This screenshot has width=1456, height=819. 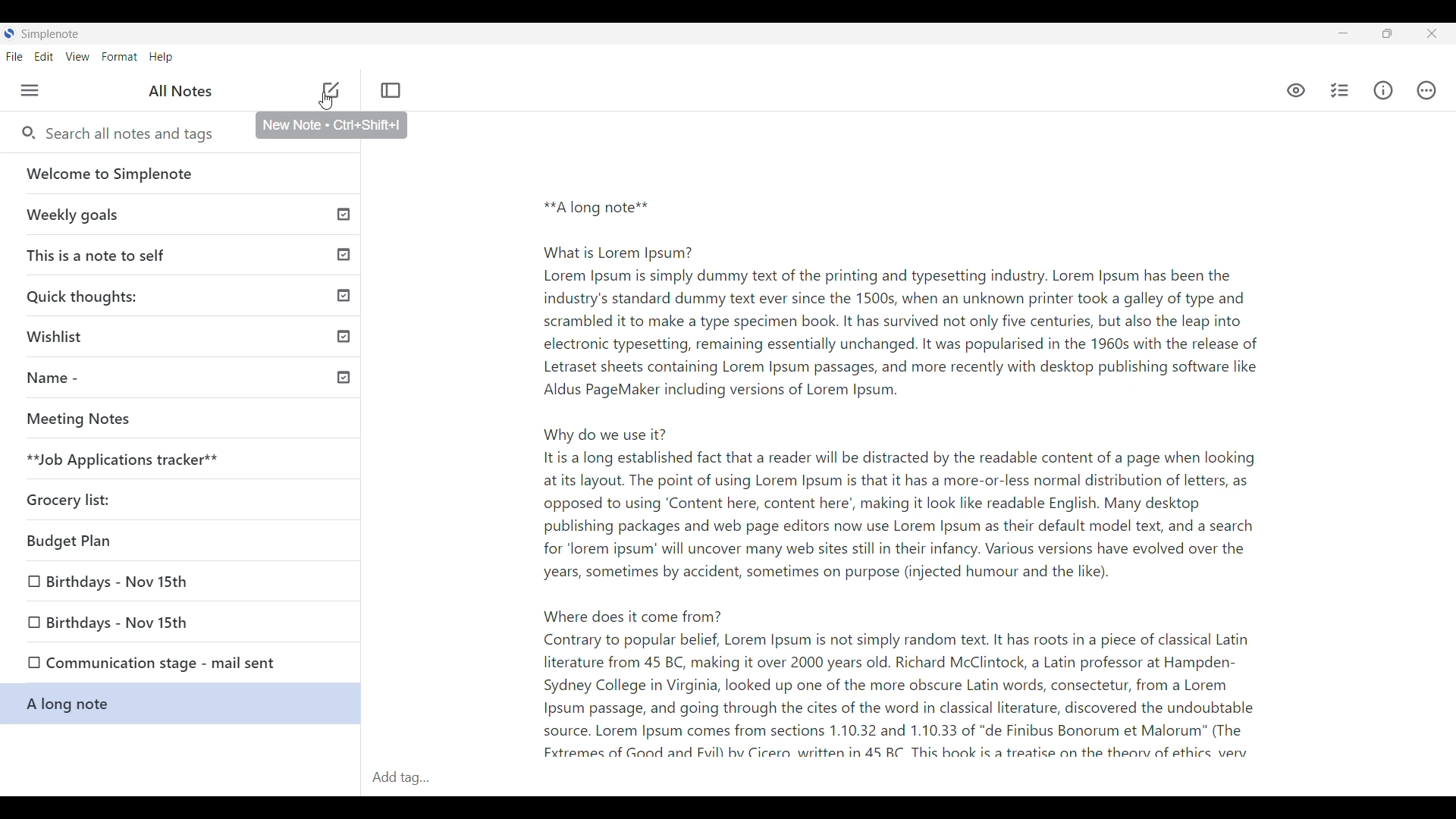 What do you see at coordinates (128, 585) in the screenshot?
I see `Birthdays-Nov 15th` at bounding box center [128, 585].